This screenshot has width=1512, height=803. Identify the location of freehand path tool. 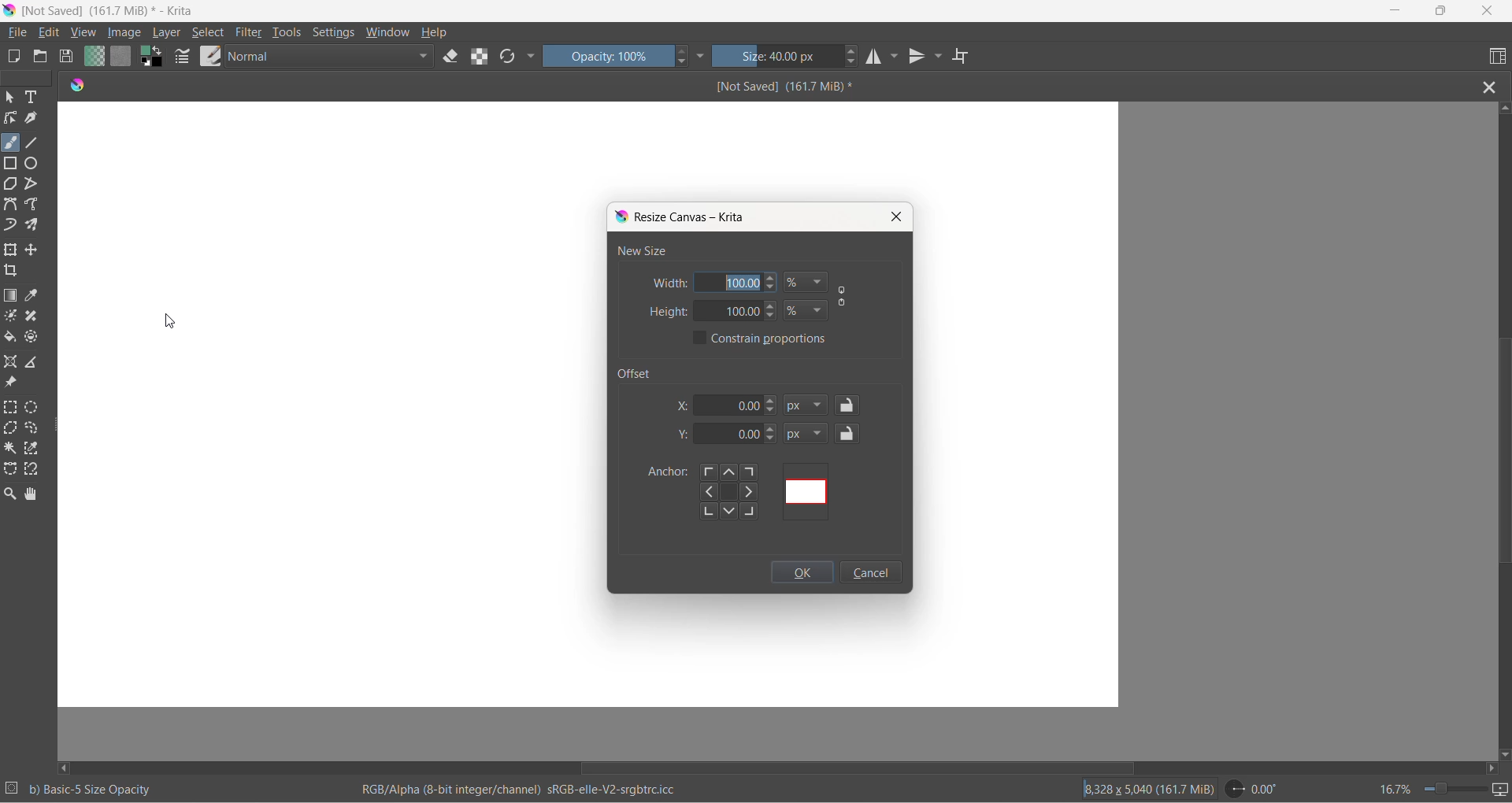
(35, 205).